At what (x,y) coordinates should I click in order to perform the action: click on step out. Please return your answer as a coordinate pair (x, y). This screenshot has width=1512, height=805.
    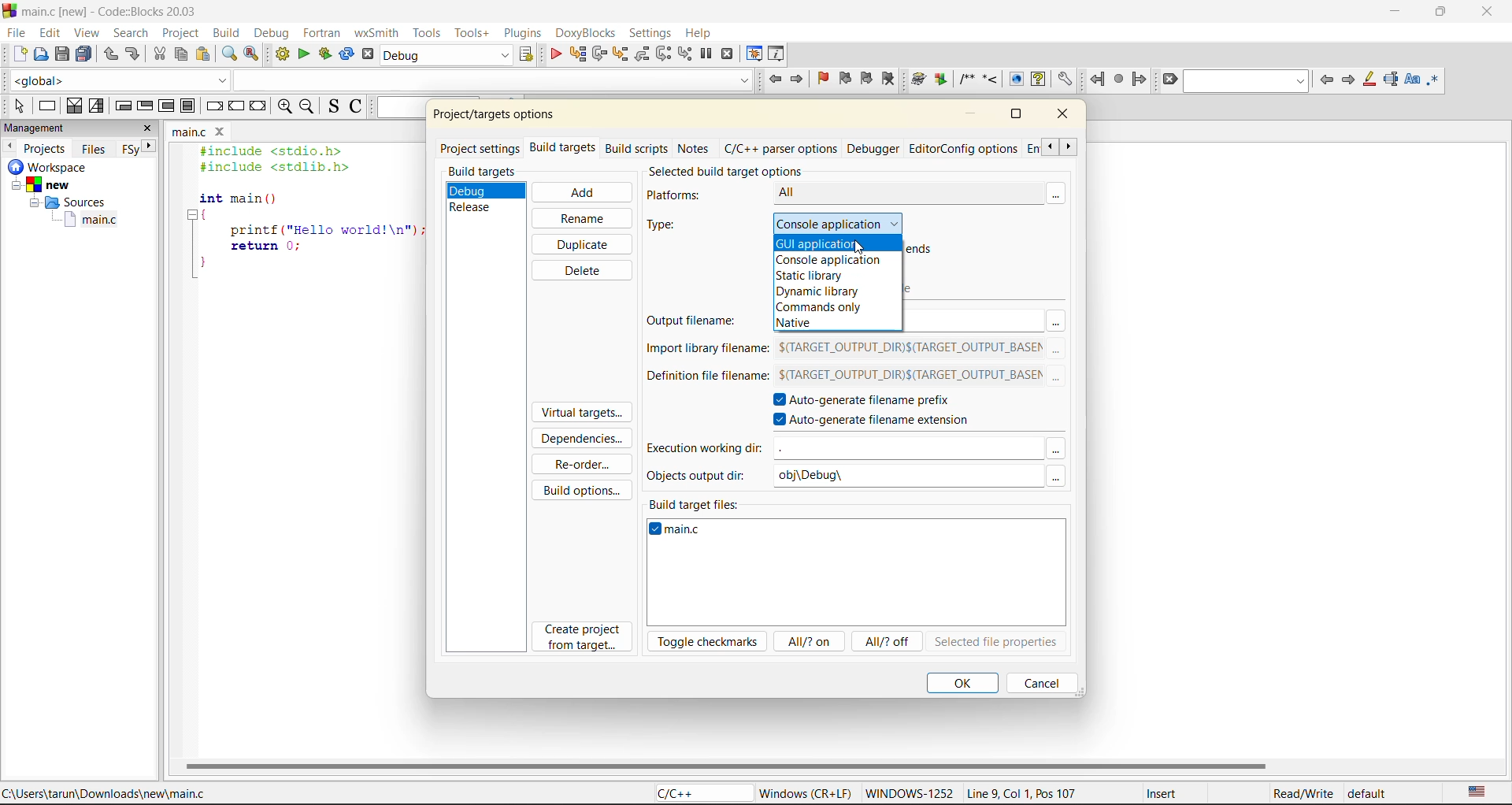
    Looking at the image, I should click on (643, 54).